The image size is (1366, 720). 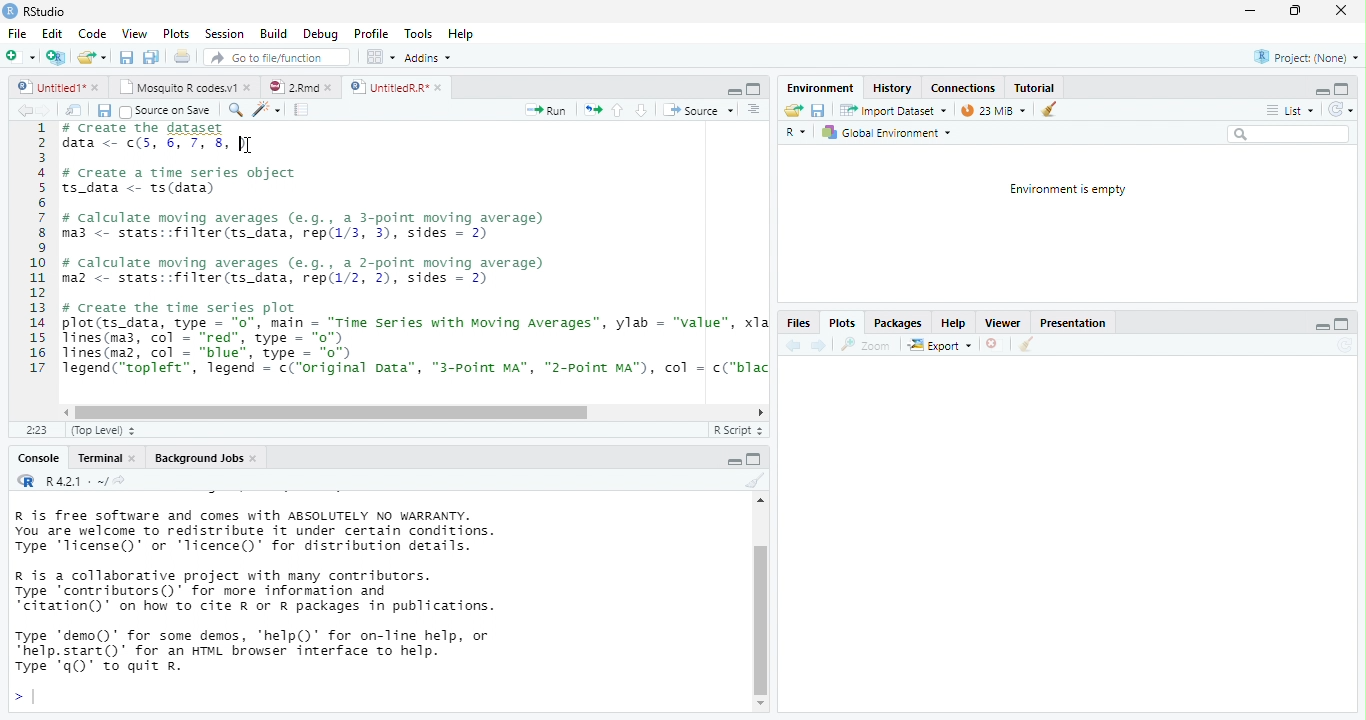 I want to click on Go to file/function, so click(x=273, y=57).